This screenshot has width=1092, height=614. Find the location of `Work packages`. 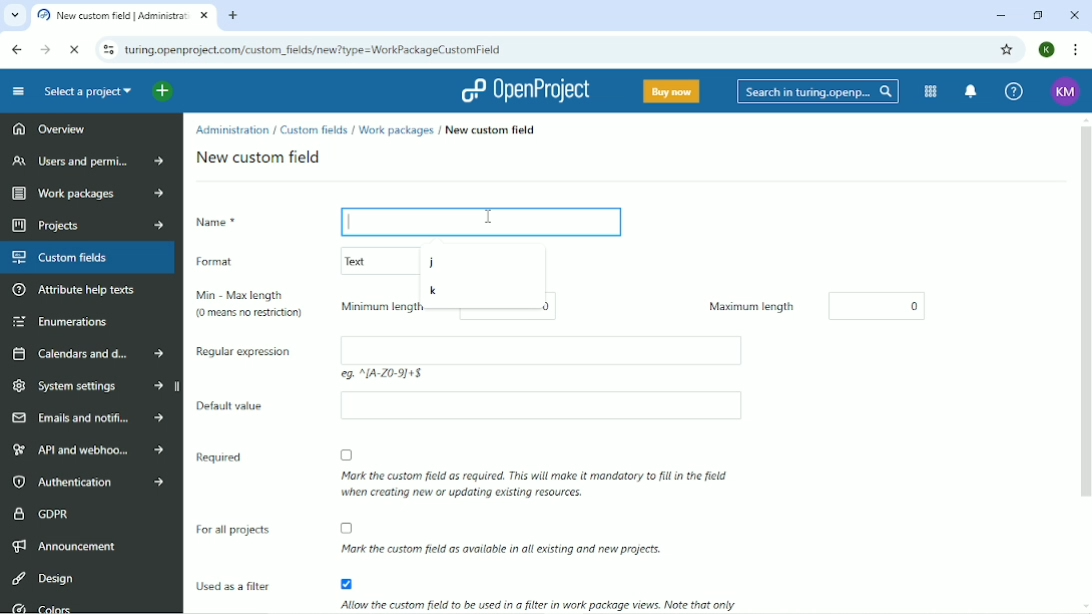

Work packages is located at coordinates (85, 195).